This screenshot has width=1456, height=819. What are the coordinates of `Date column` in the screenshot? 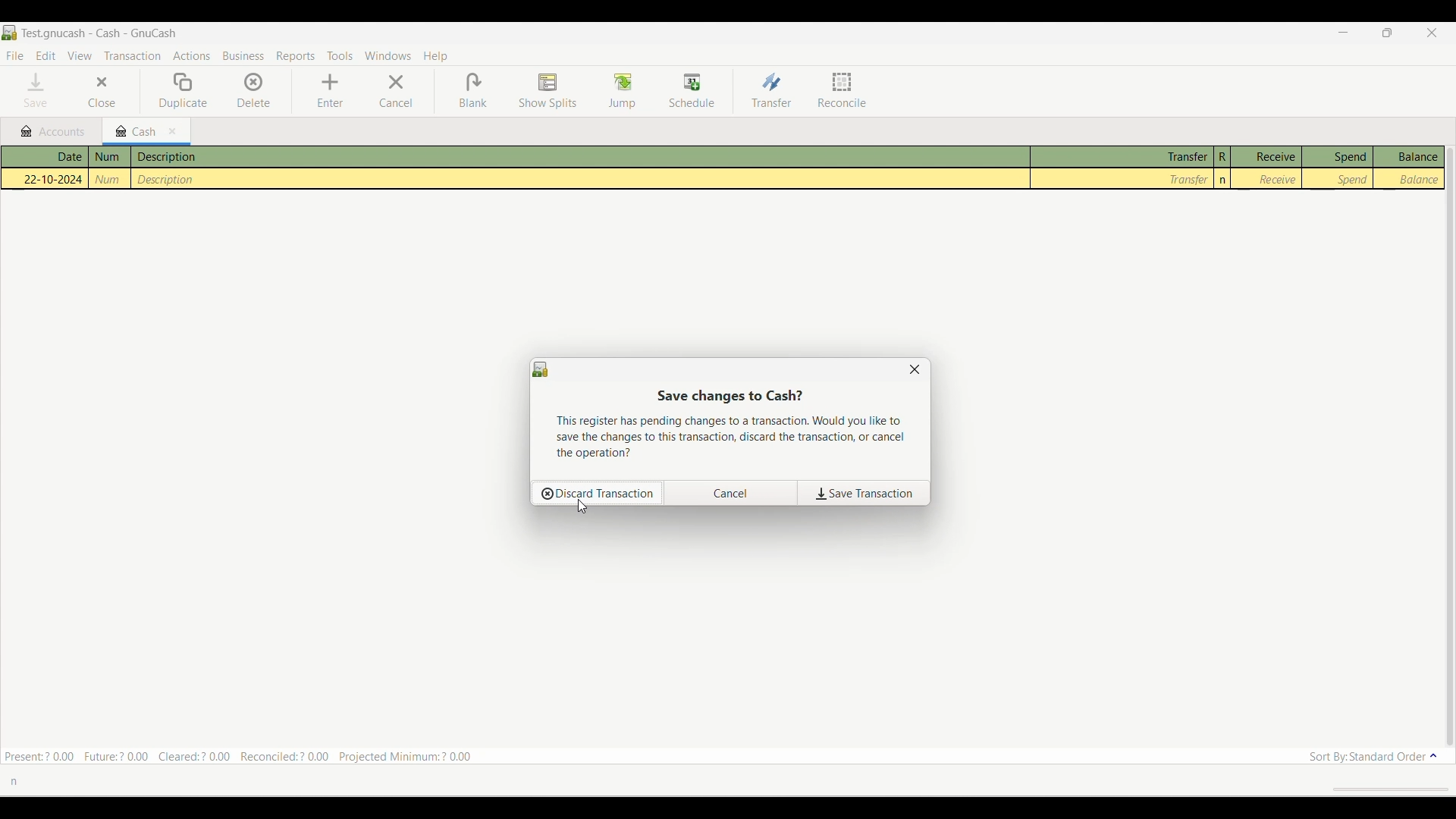 It's located at (48, 166).